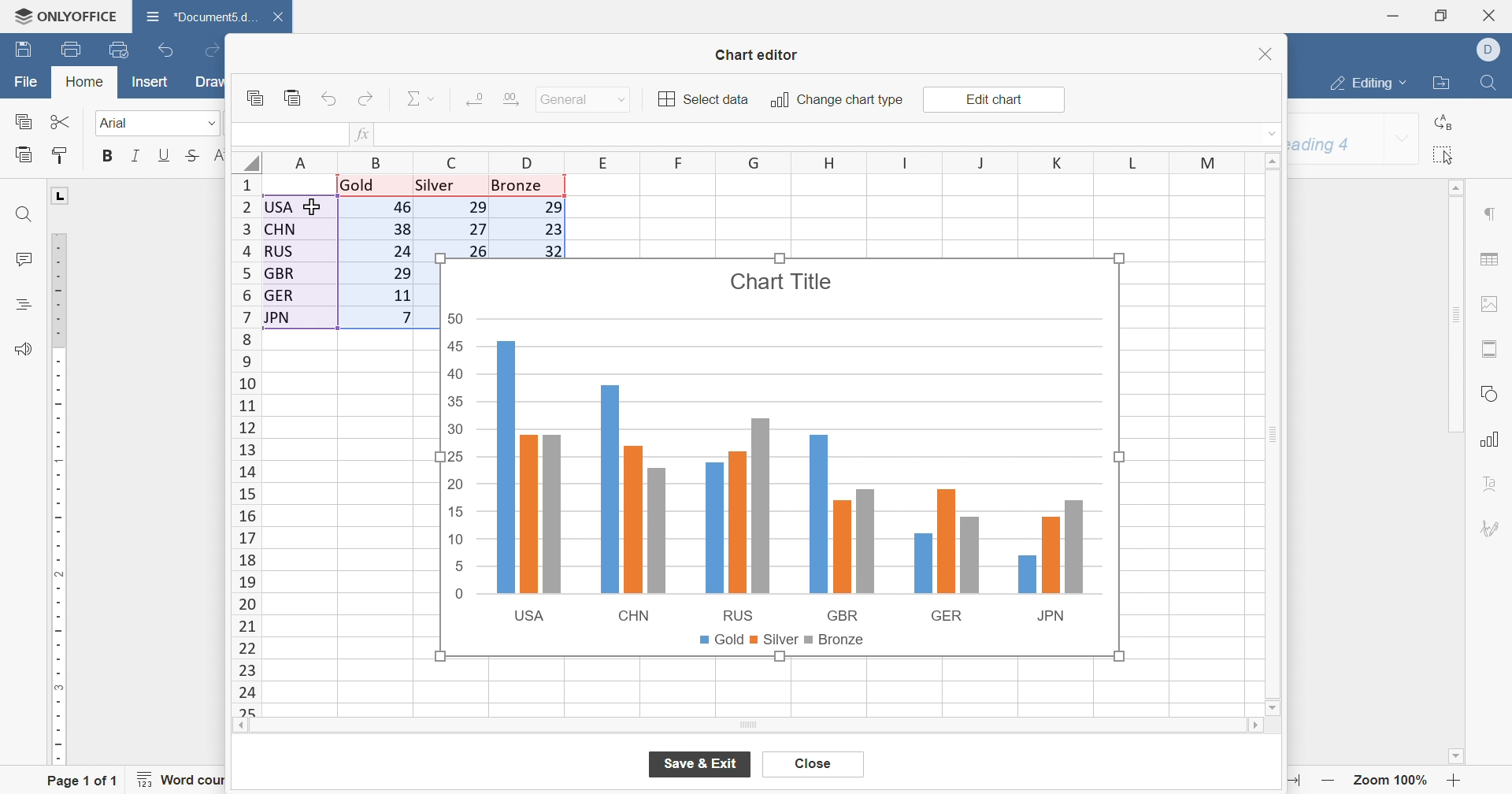  I want to click on select all, so click(1446, 155).